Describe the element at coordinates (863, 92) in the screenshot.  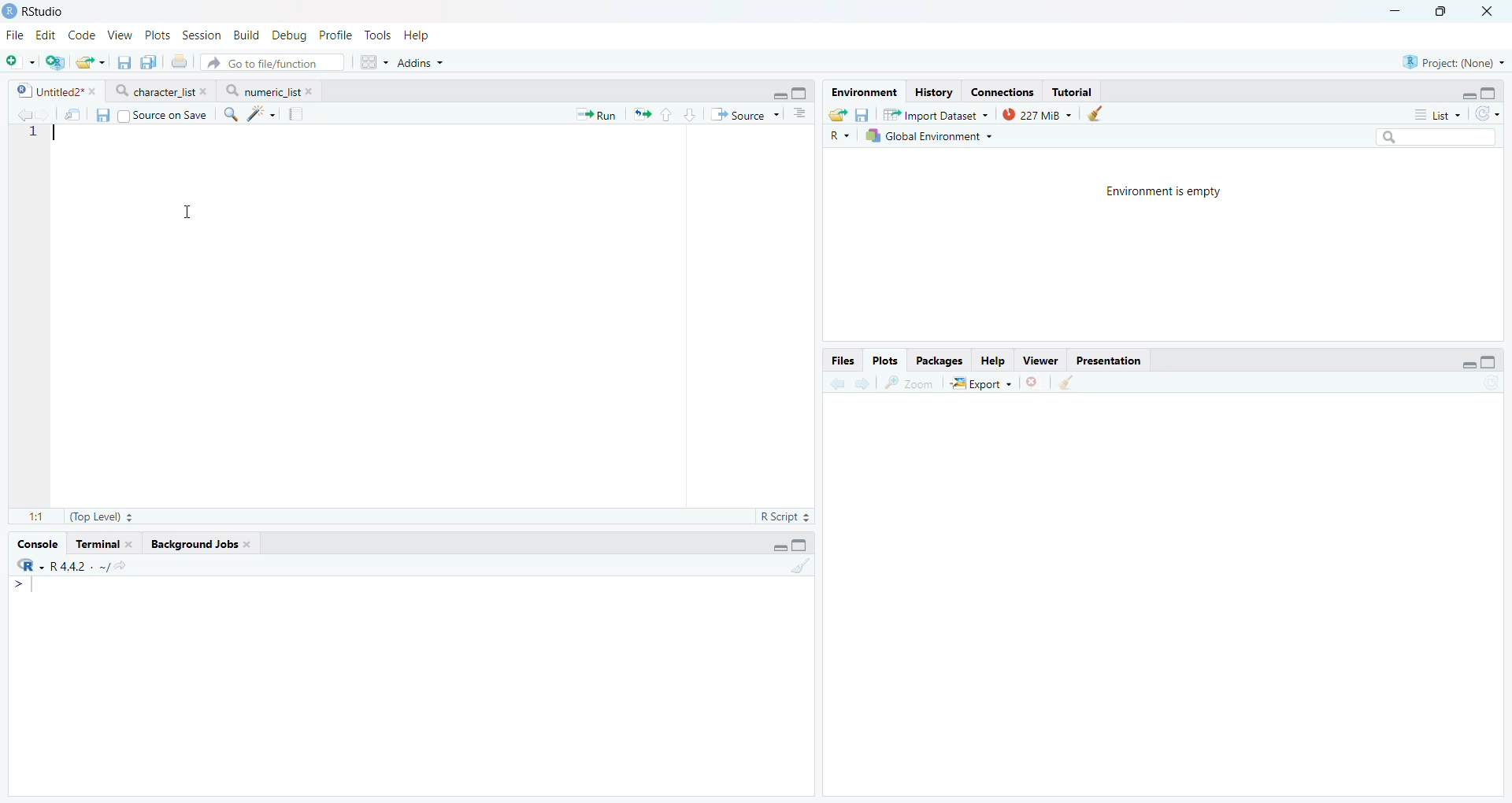
I see `Environment` at that location.